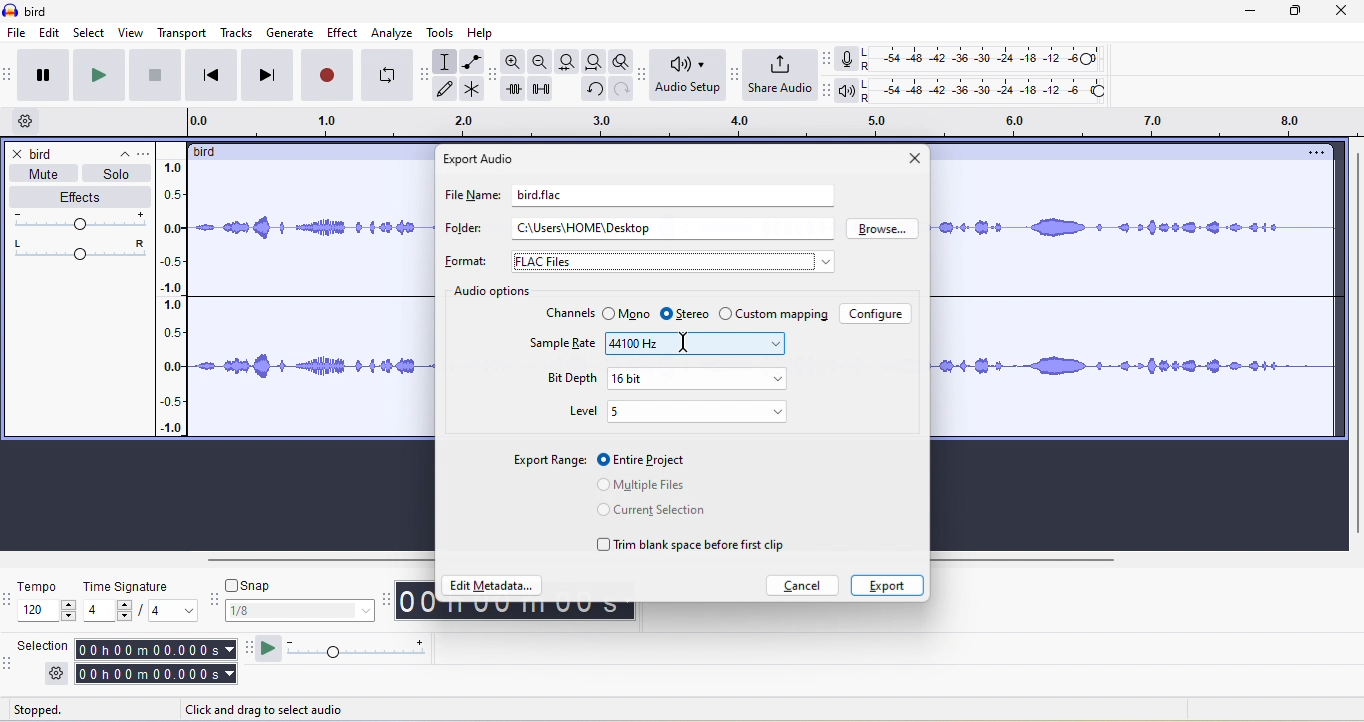  What do you see at coordinates (1133, 297) in the screenshot?
I see `record audio` at bounding box center [1133, 297].